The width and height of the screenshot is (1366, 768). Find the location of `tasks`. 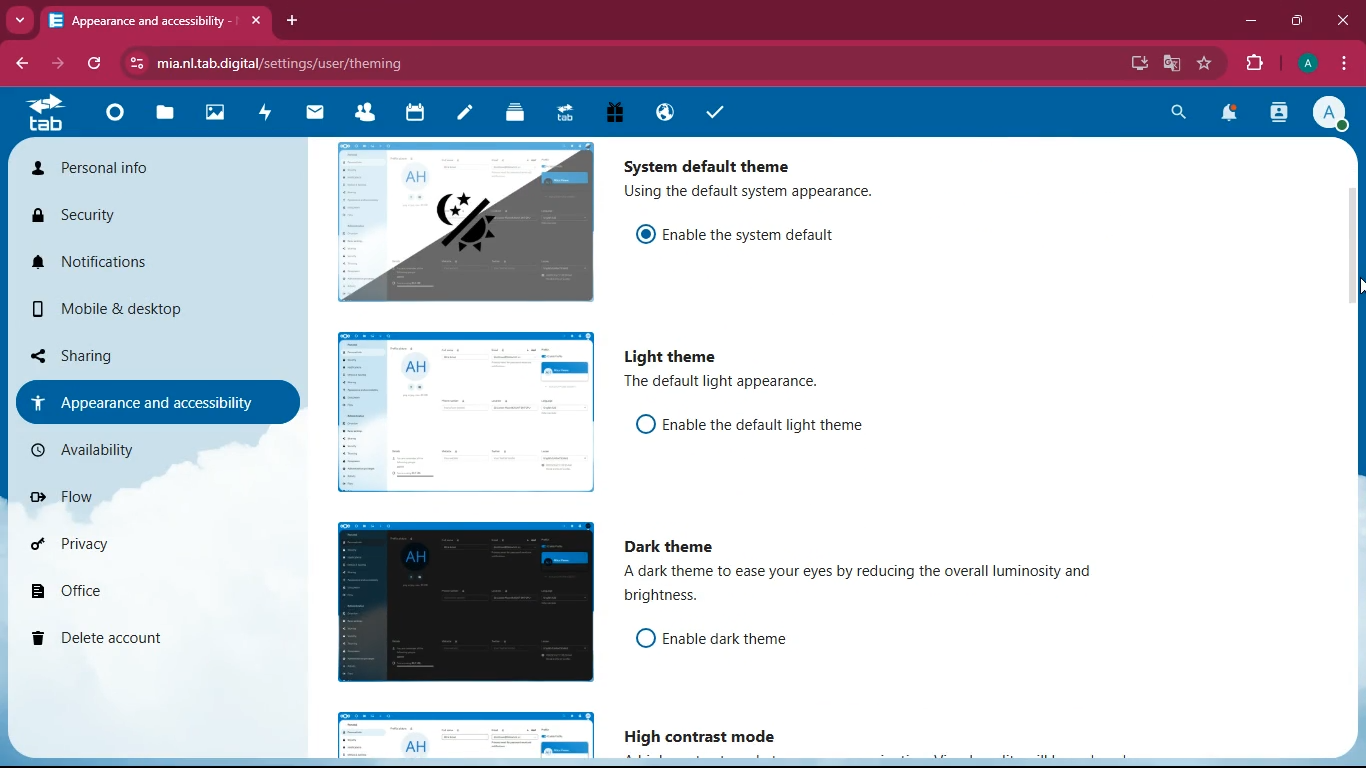

tasks is located at coordinates (715, 114).